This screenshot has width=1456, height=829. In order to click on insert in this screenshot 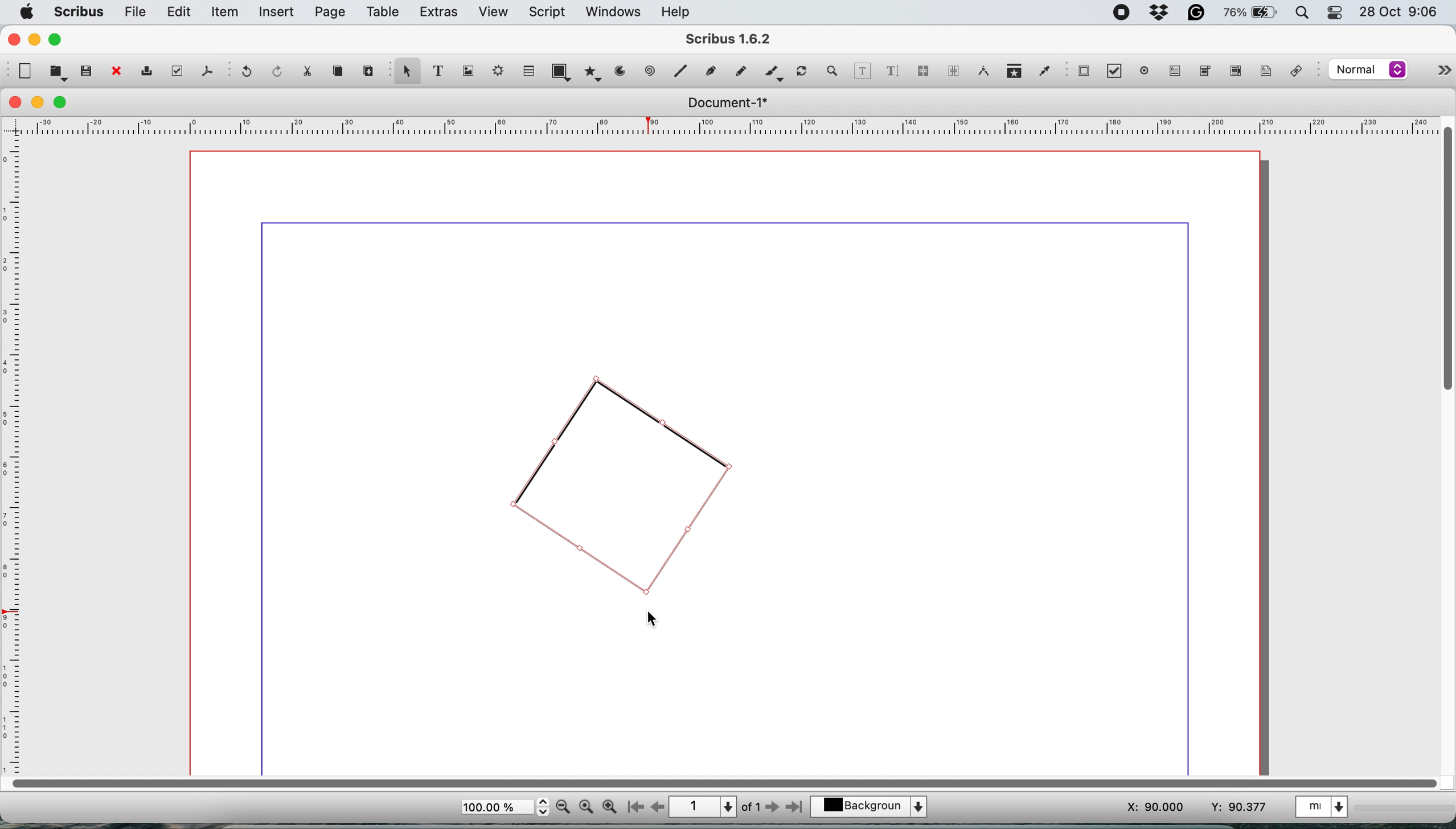, I will do `click(278, 13)`.